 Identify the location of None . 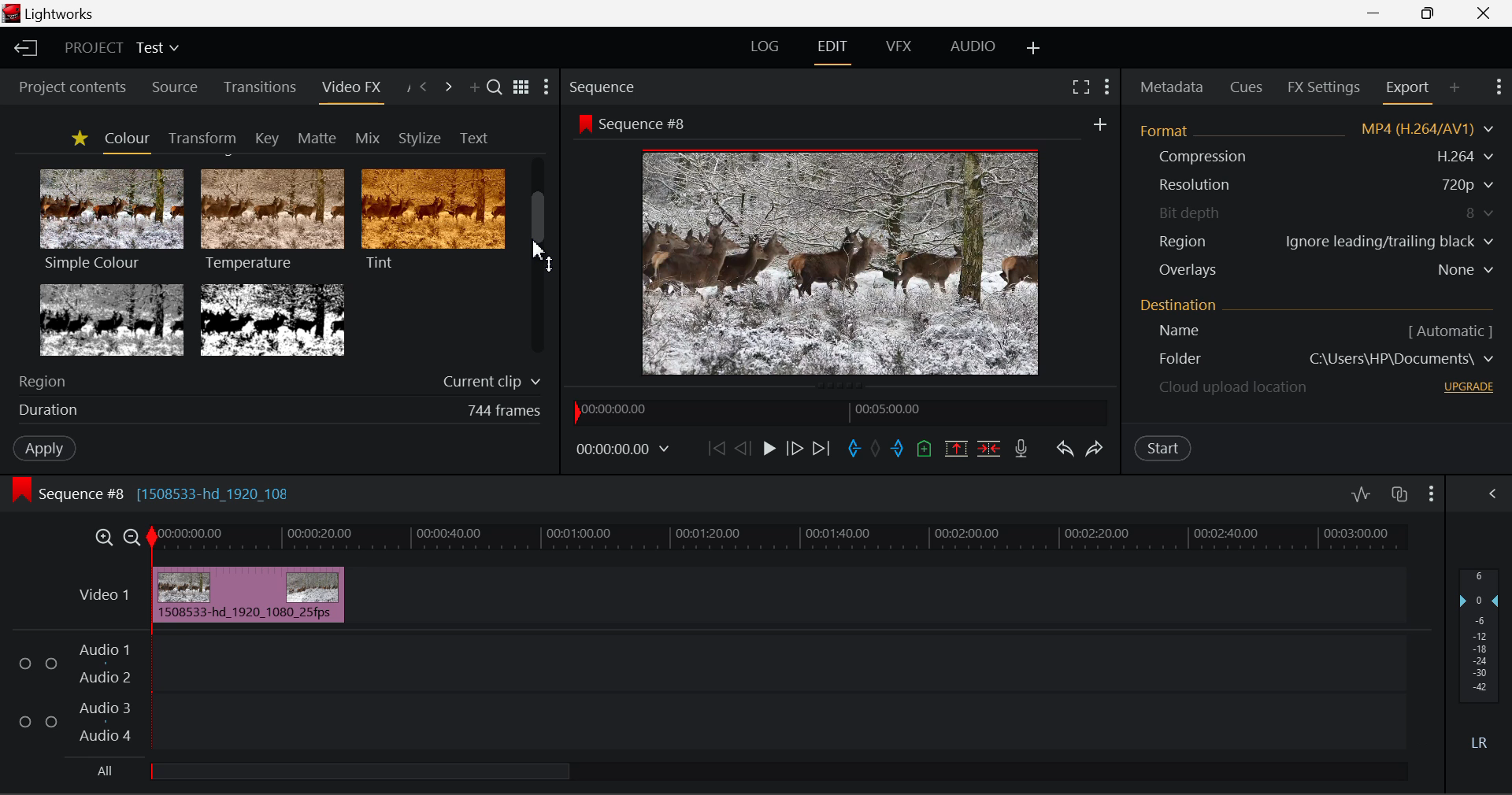
(1467, 270).